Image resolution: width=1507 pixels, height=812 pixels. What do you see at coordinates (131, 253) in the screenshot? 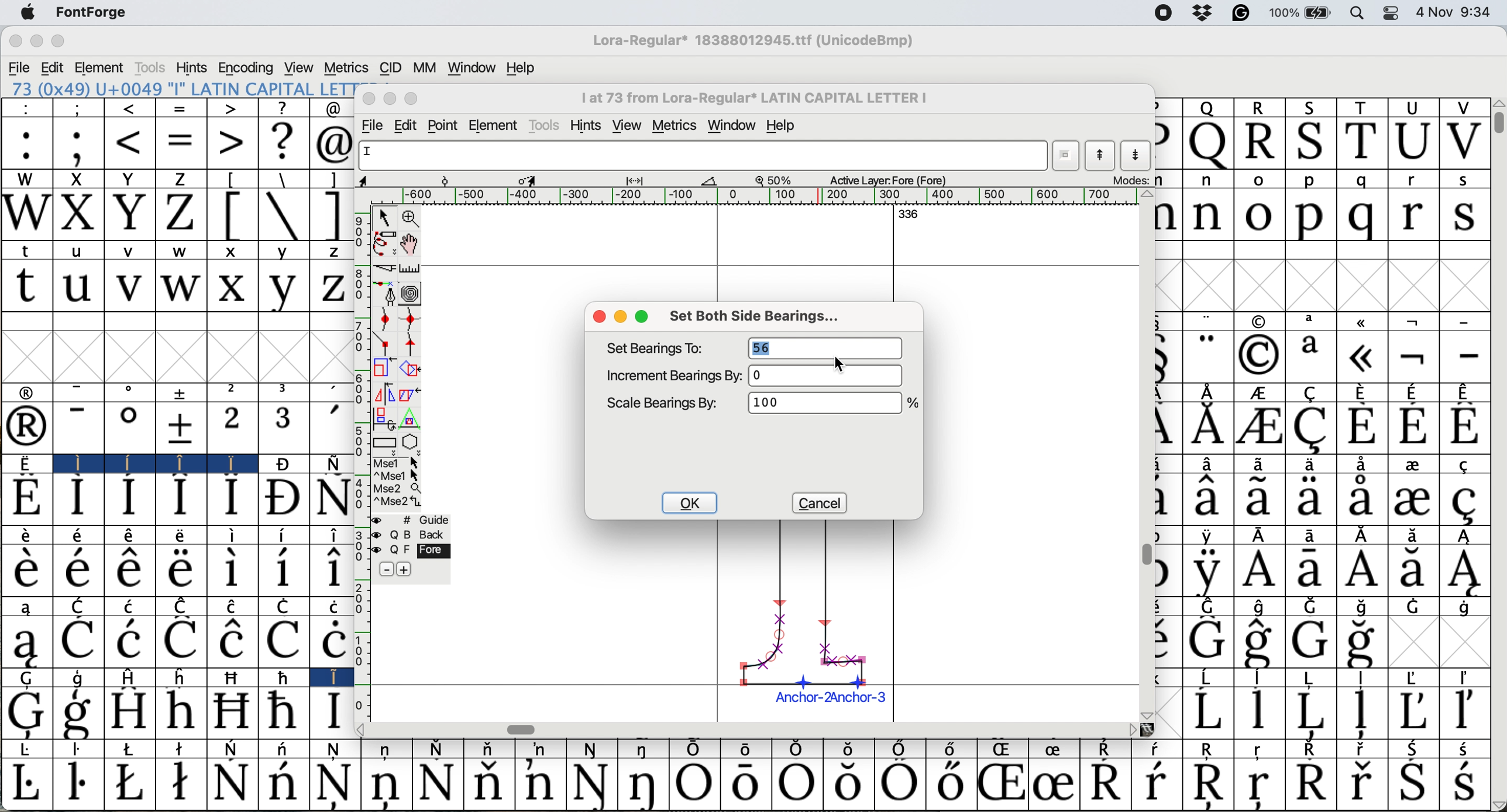
I see `v` at bounding box center [131, 253].